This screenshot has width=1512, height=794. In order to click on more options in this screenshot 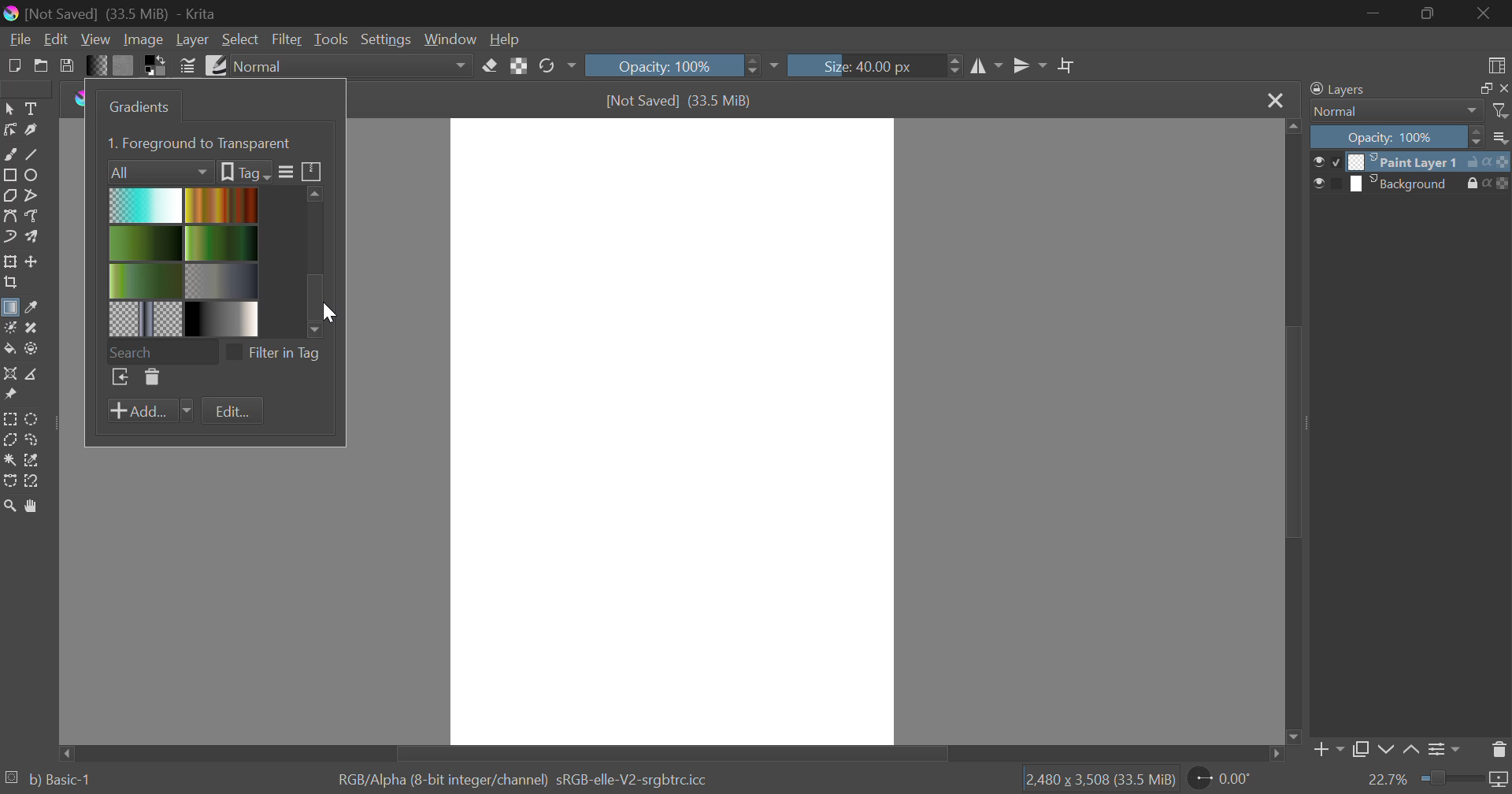, I will do `click(1501, 137)`.